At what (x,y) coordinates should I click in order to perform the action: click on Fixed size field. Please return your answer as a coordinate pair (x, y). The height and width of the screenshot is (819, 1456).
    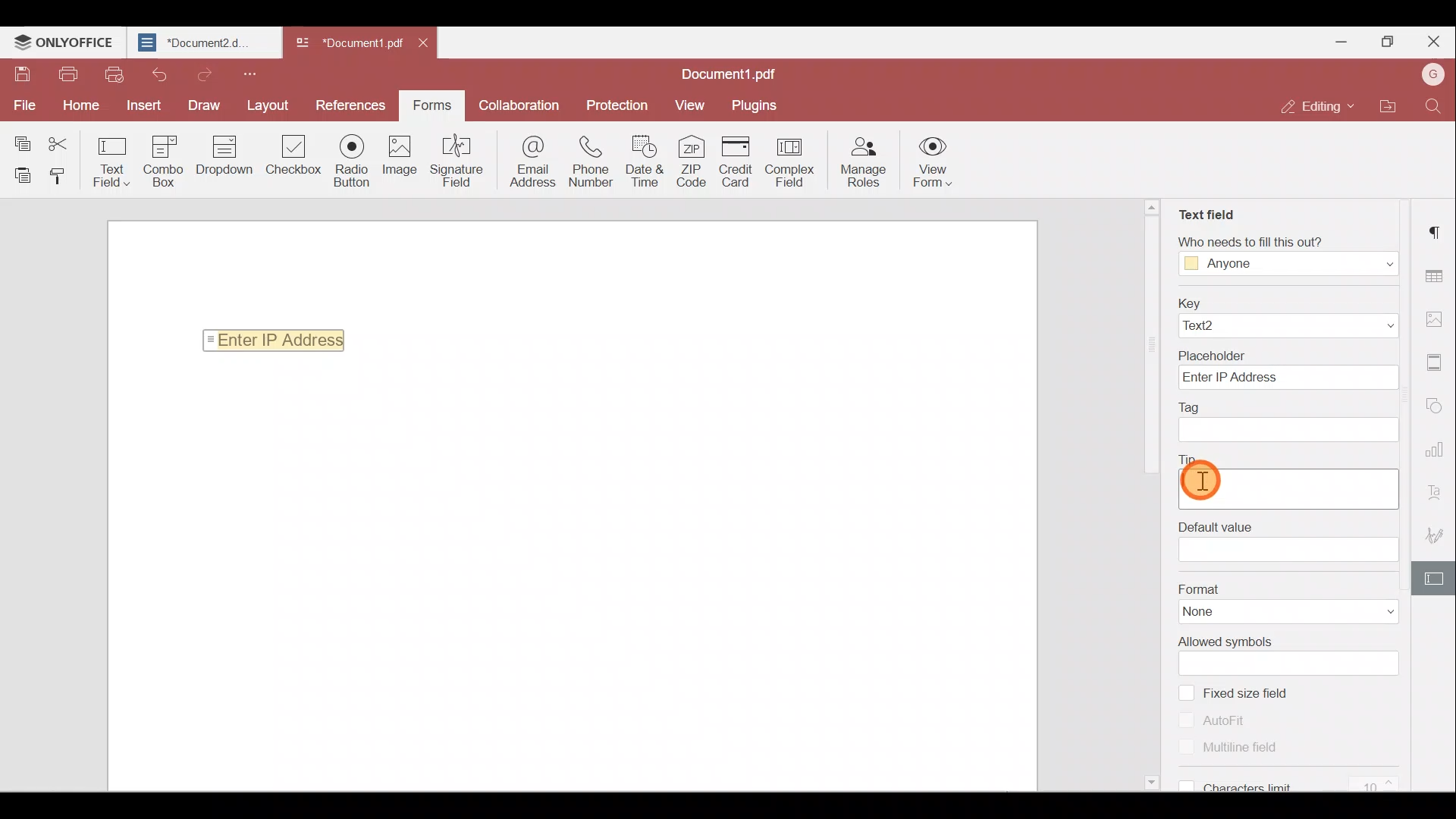
    Looking at the image, I should click on (1261, 692).